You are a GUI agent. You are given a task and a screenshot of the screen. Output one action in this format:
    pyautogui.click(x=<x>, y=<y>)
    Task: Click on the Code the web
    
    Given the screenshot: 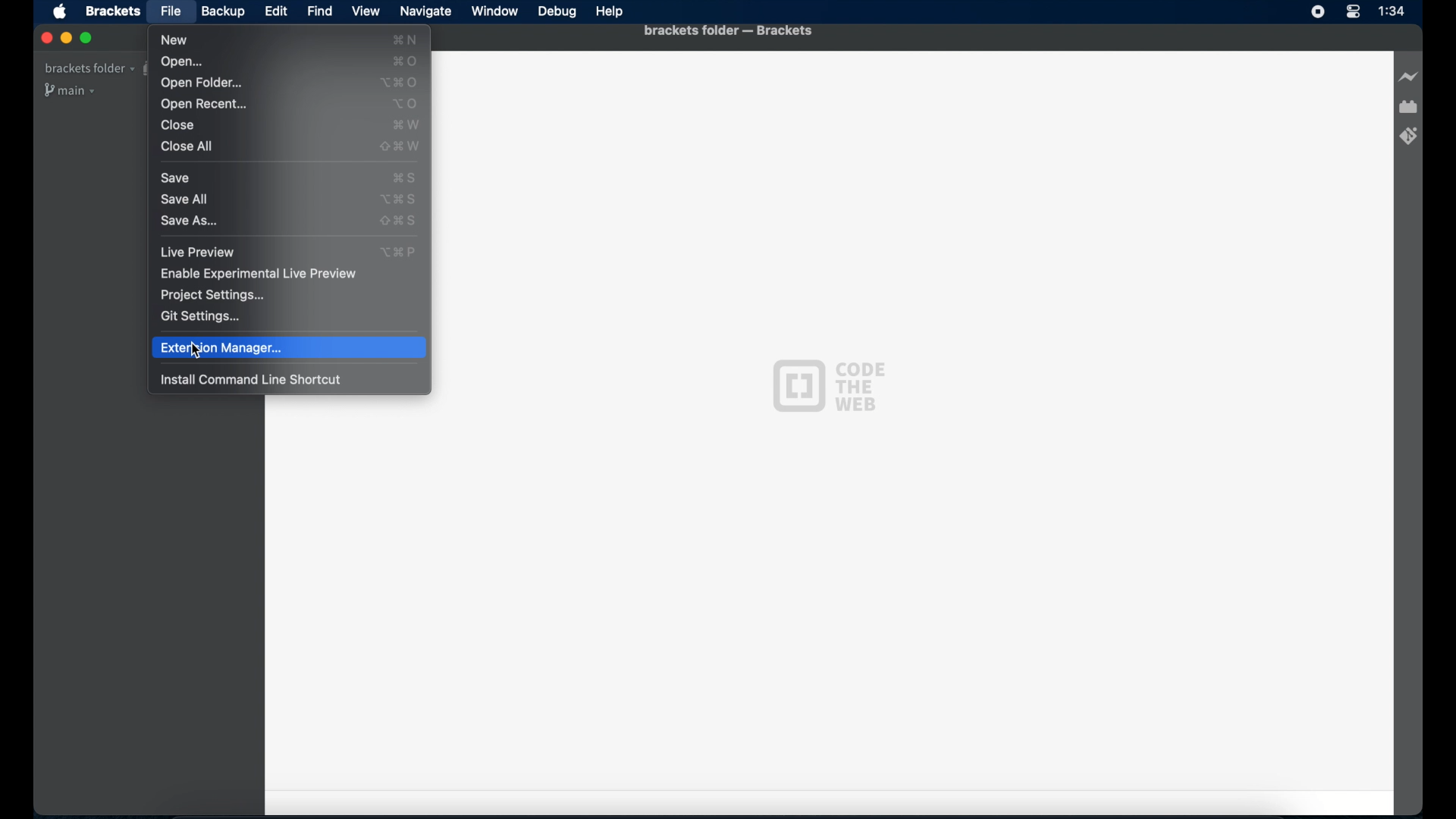 What is the action you would take?
    pyautogui.click(x=828, y=386)
    